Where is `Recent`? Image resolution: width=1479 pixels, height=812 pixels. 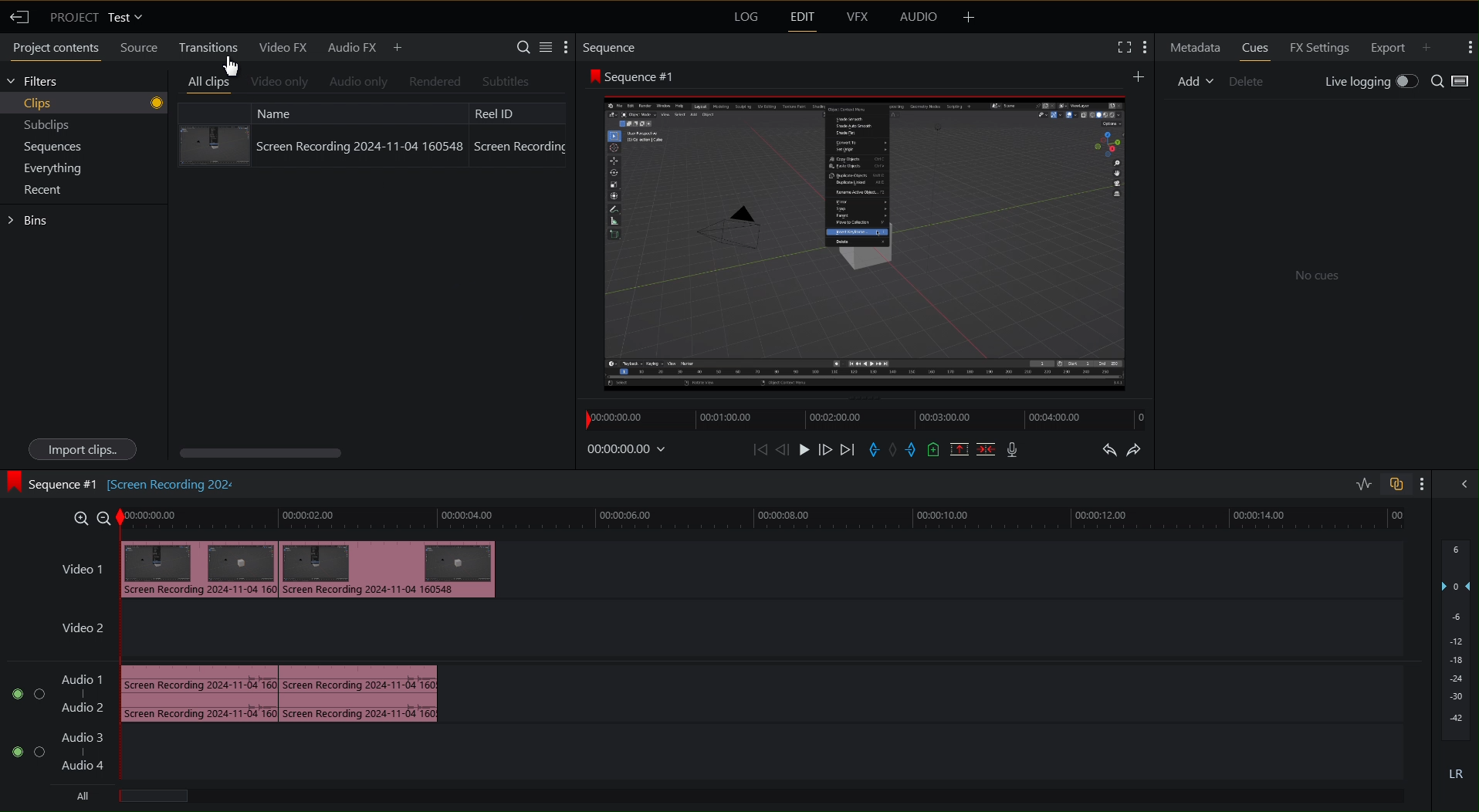
Recent is located at coordinates (42, 192).